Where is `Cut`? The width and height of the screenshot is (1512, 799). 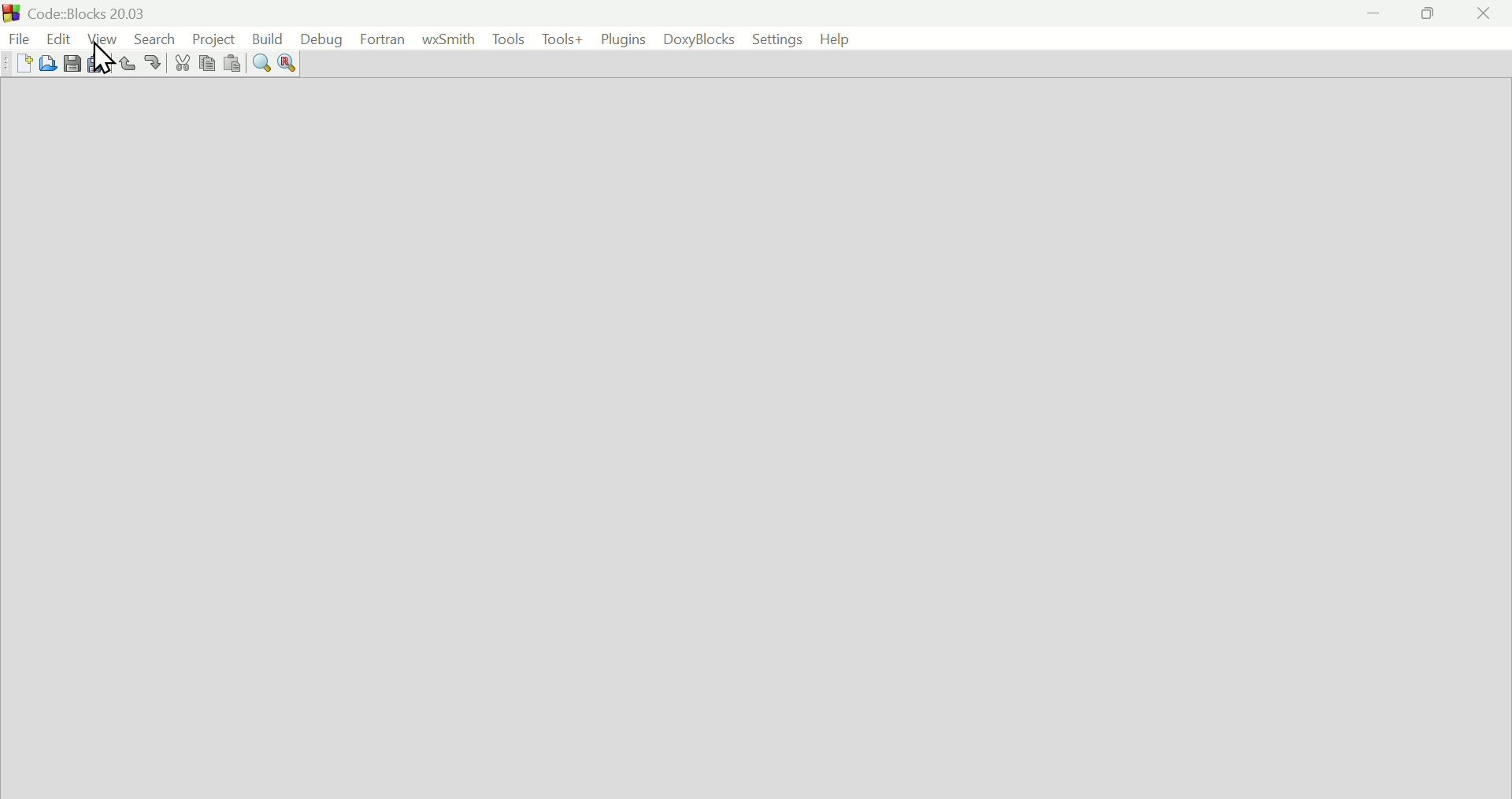
Cut is located at coordinates (179, 64).